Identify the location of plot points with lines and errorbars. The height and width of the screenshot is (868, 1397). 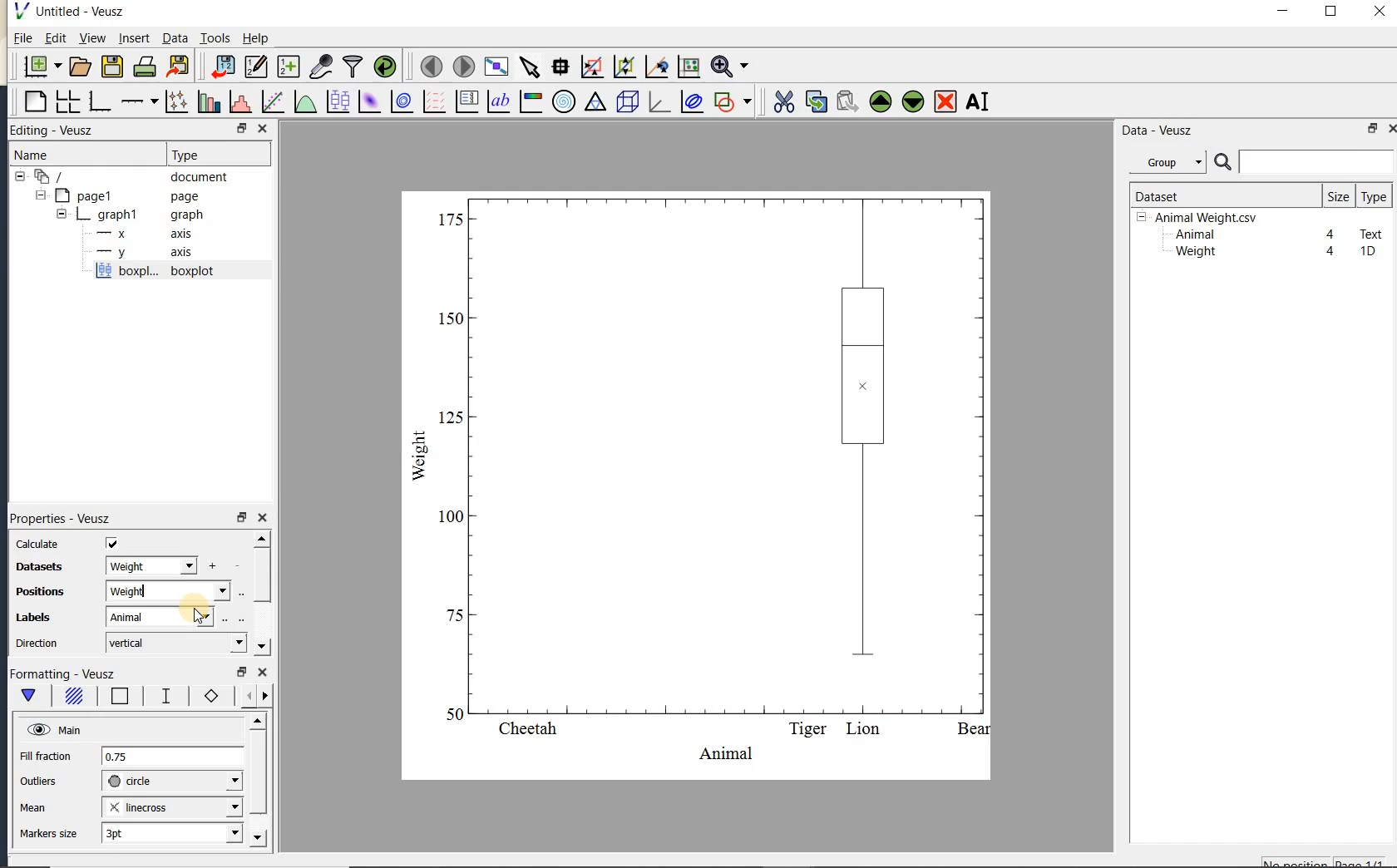
(178, 101).